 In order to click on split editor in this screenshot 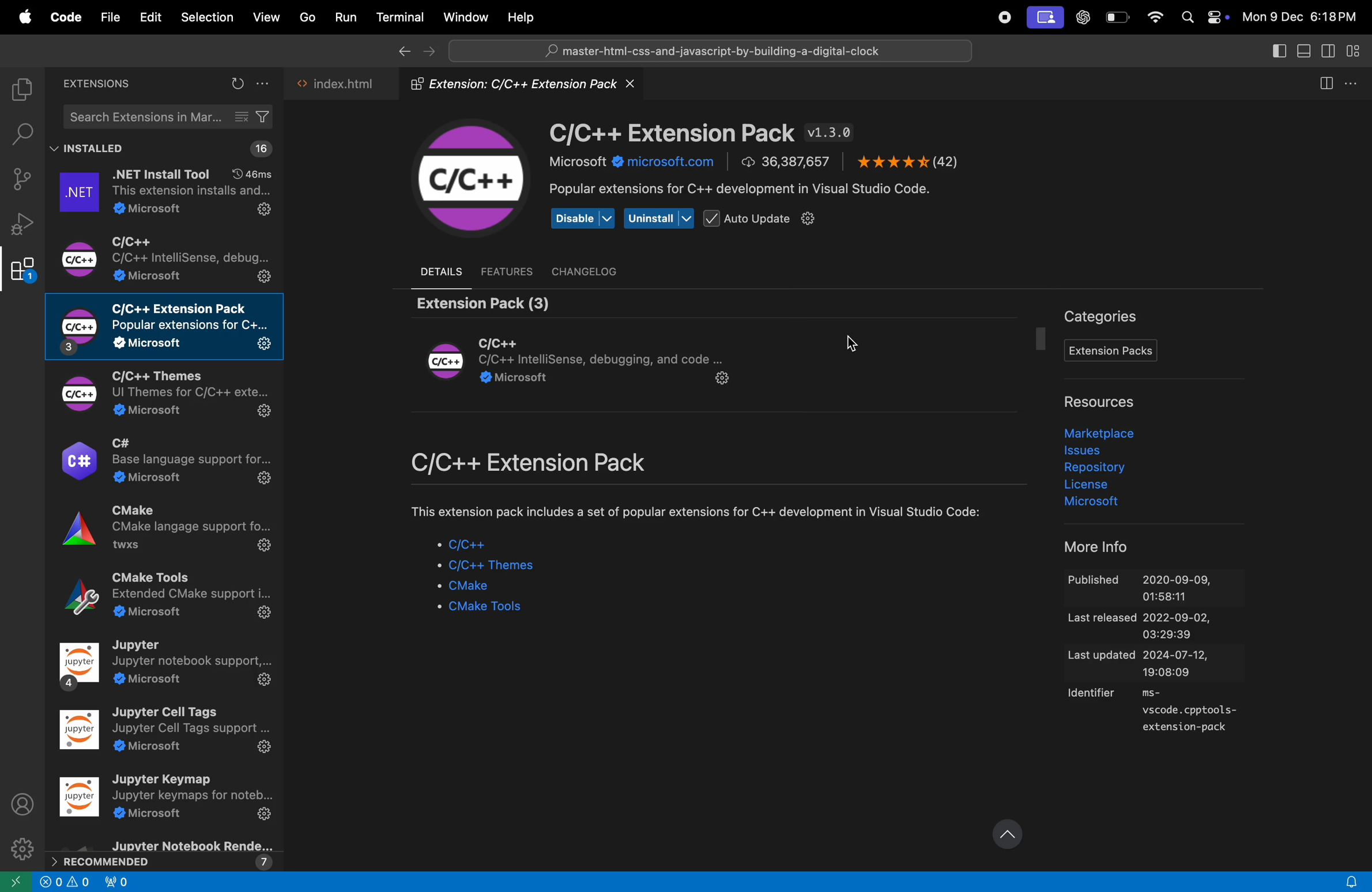, I will do `click(1322, 83)`.